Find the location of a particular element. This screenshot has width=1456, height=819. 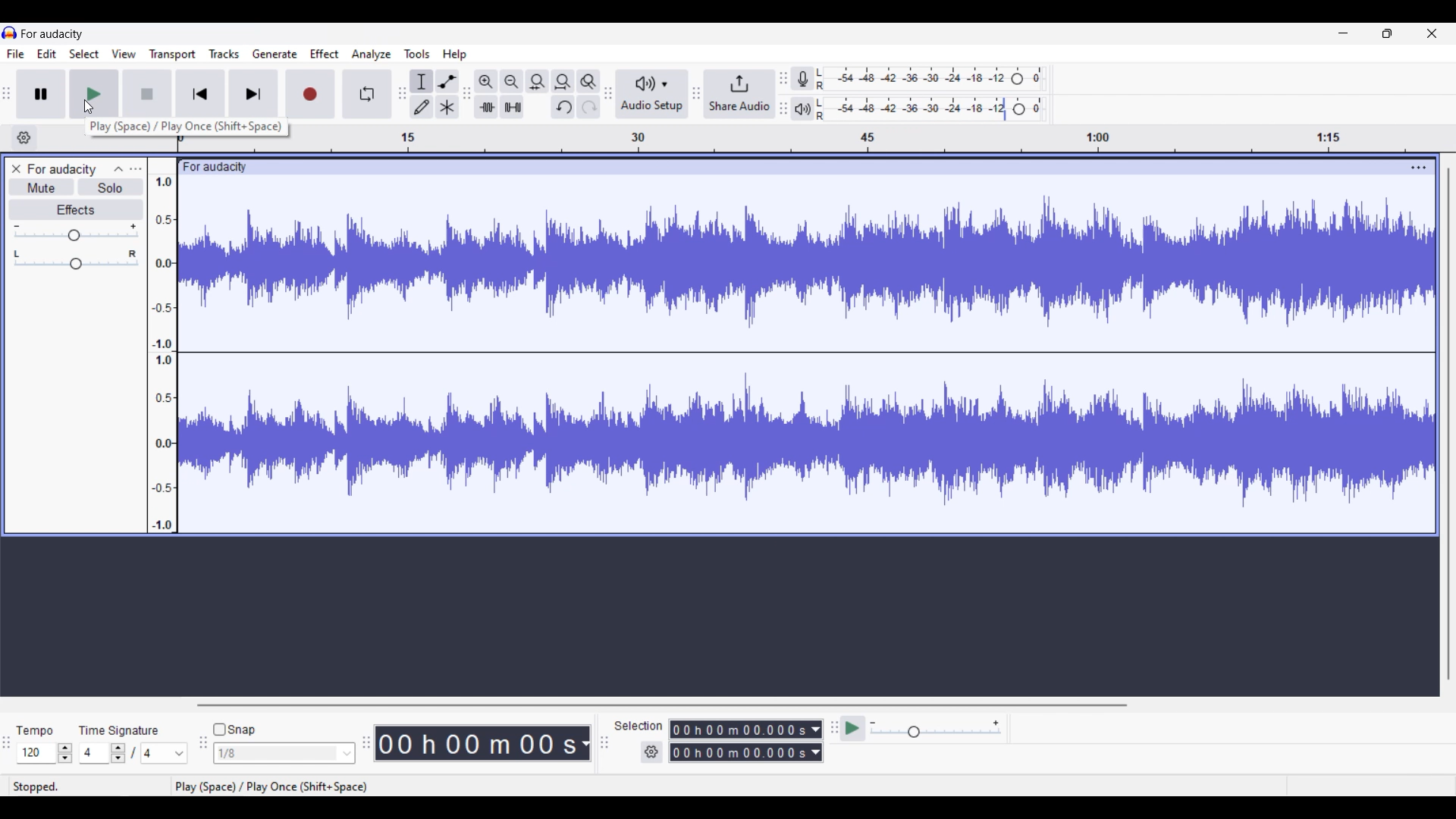

Trim audio outside selection is located at coordinates (486, 107).